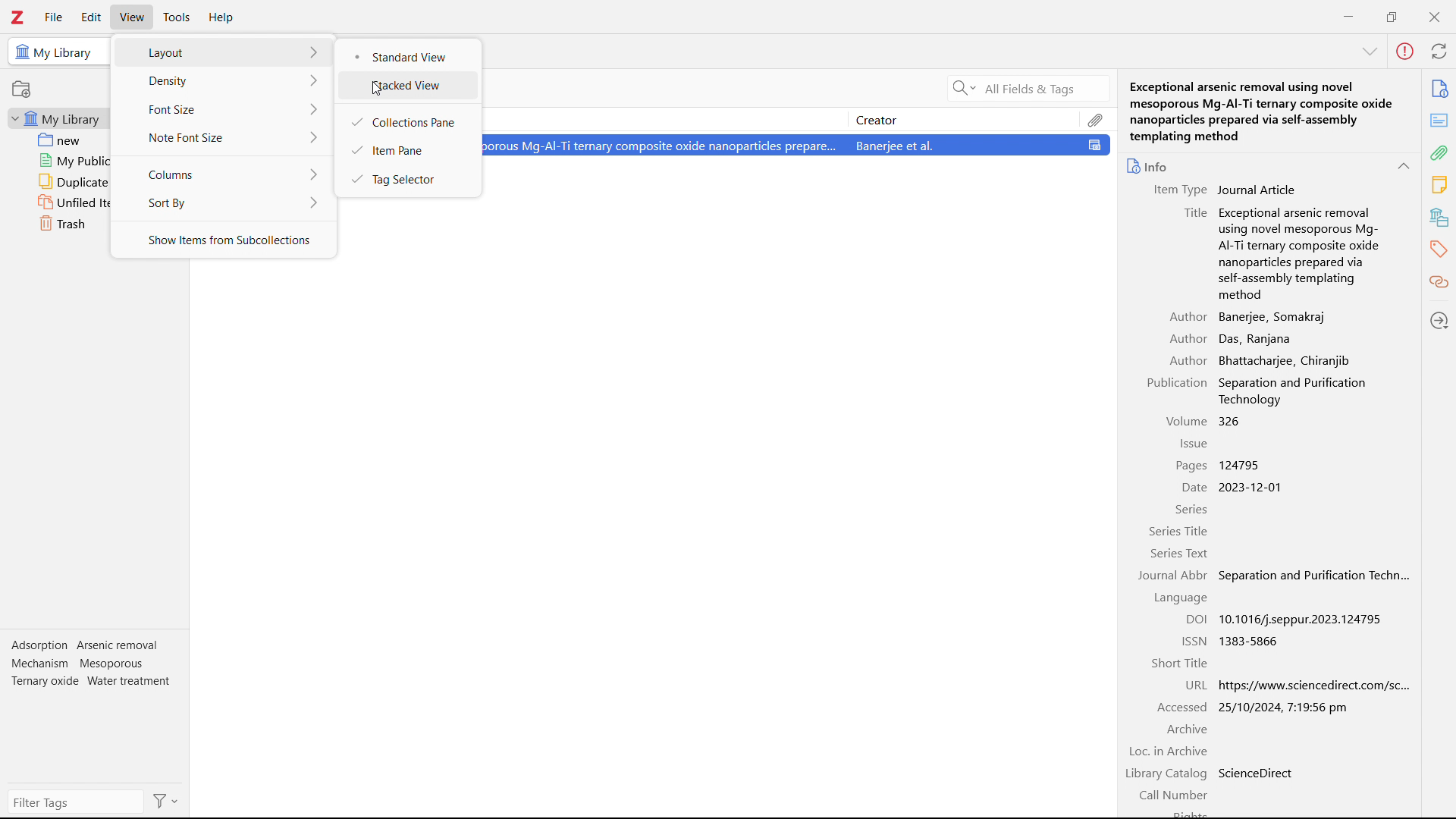  What do you see at coordinates (1313, 685) in the screenshot?
I see `https://www.sciencedirect.com/sc...` at bounding box center [1313, 685].